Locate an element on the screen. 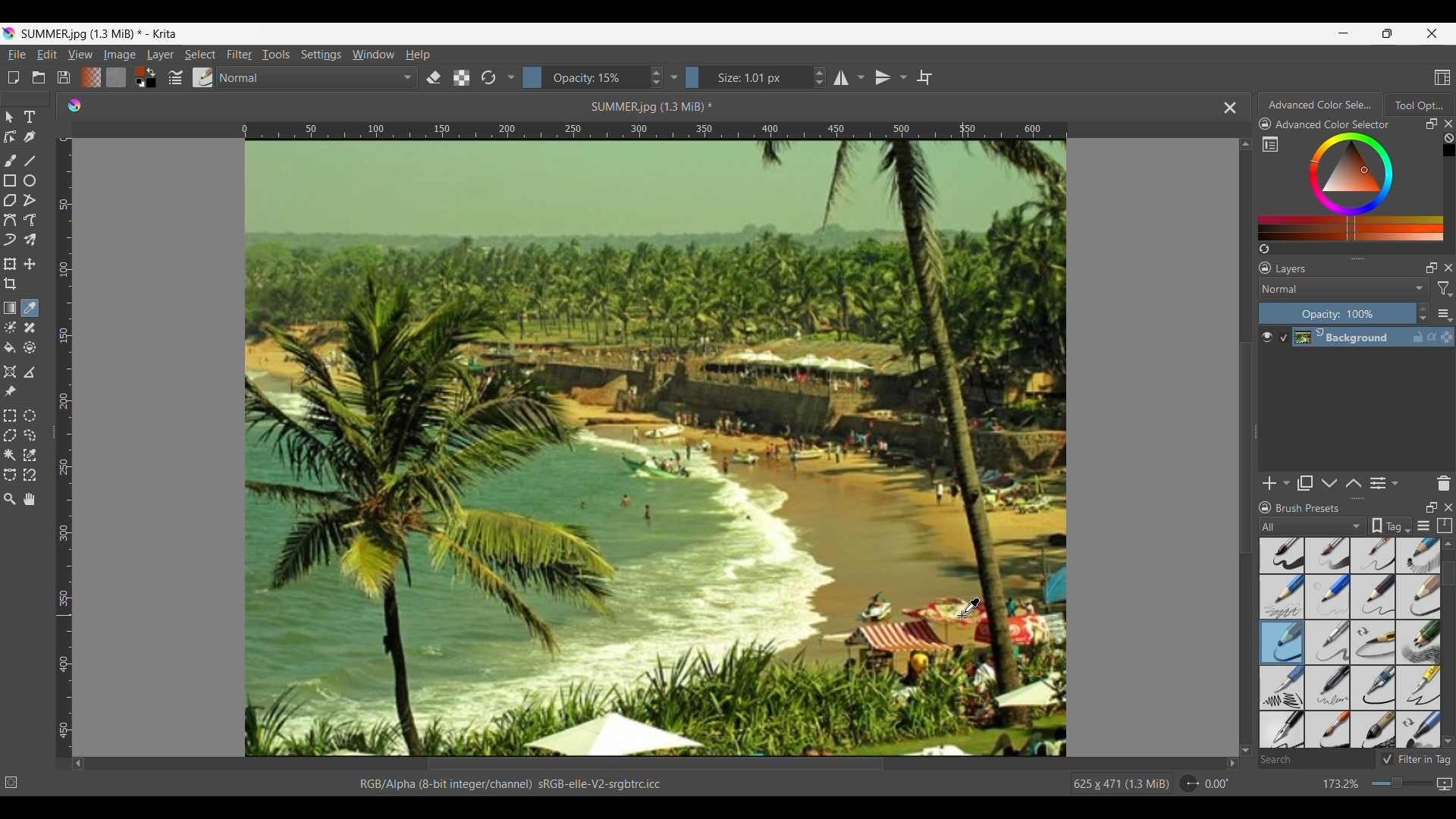 The width and height of the screenshot is (1456, 819). Polygon tool is located at coordinates (10, 201).